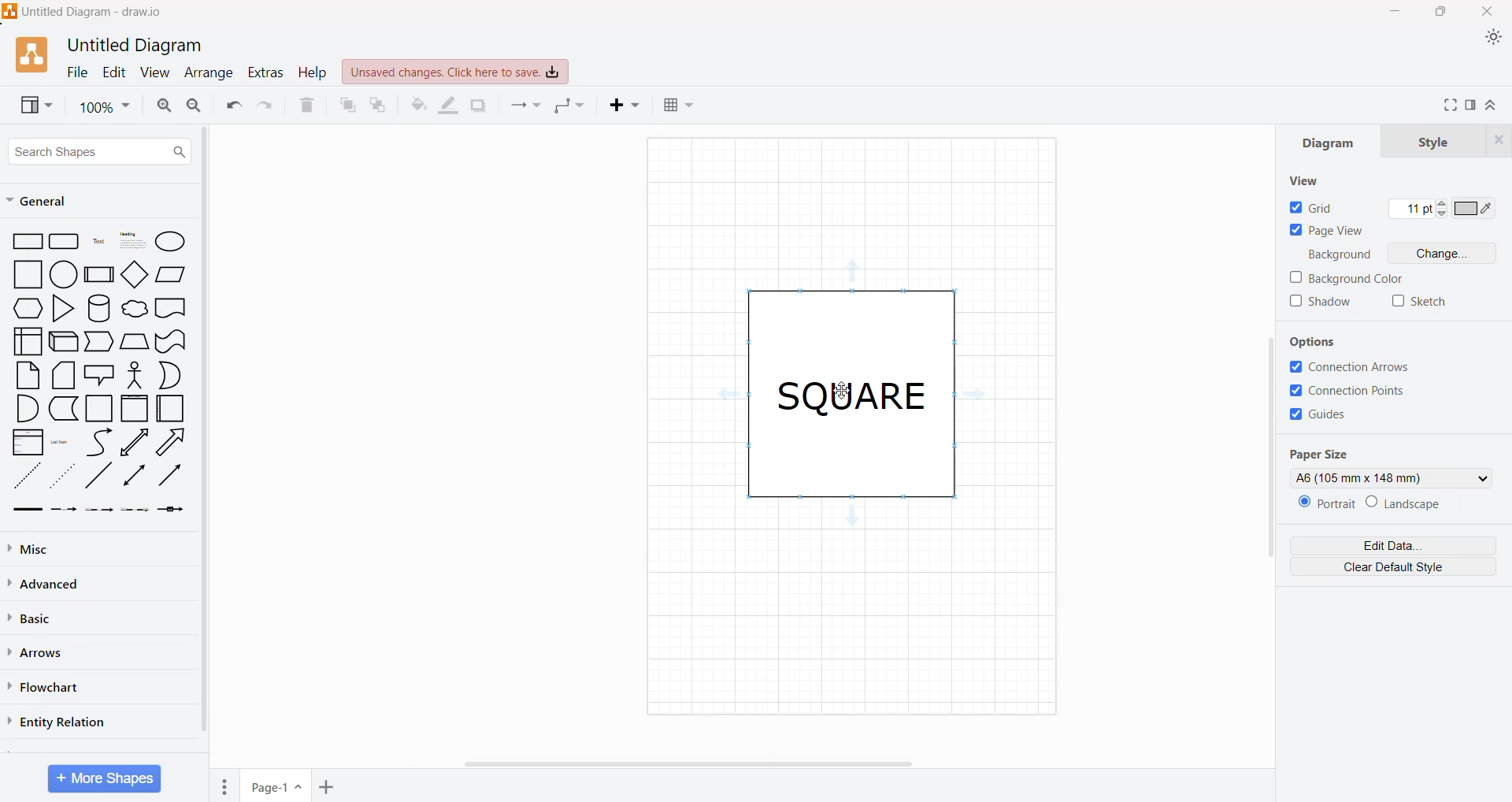  I want to click on square, so click(23, 274).